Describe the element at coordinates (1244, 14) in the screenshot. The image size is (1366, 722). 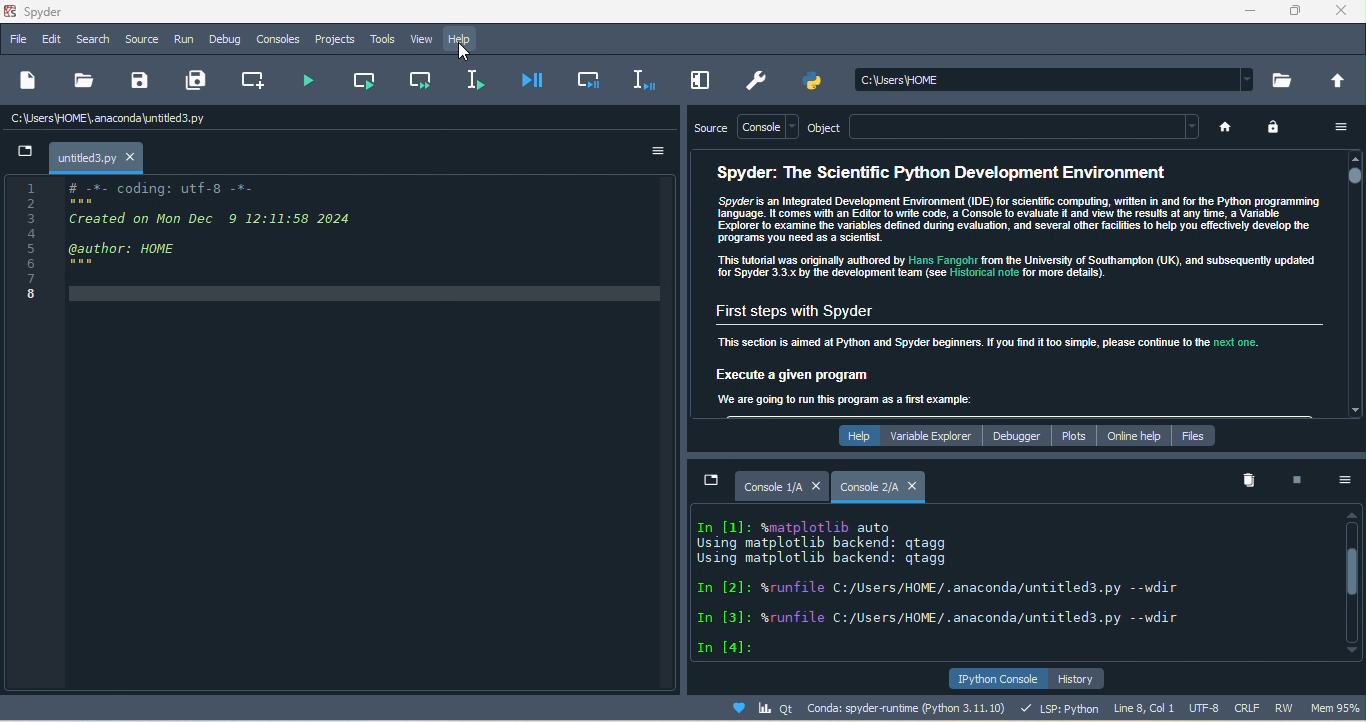
I see `minimize` at that location.